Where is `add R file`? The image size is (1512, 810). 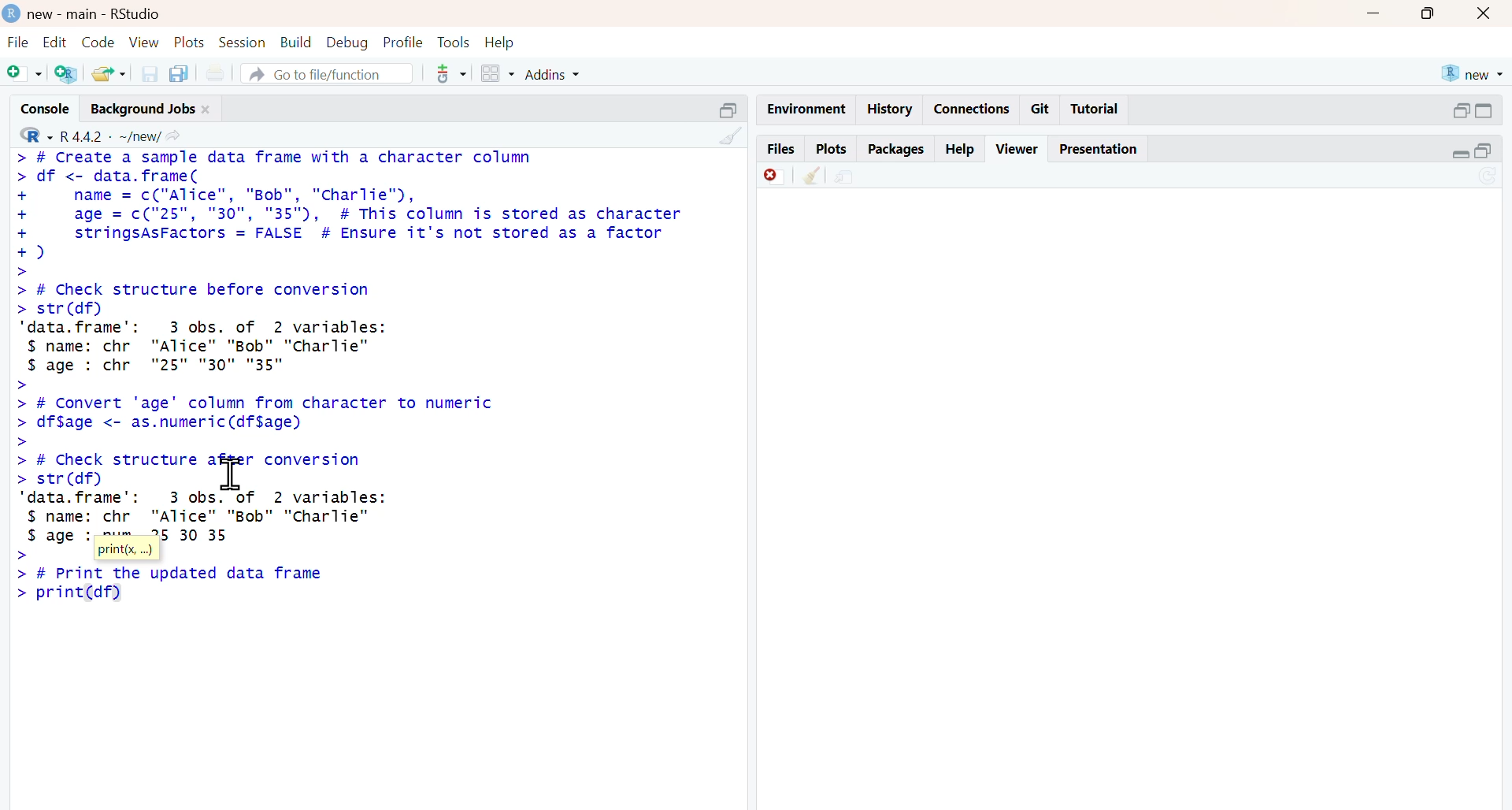 add R file is located at coordinates (66, 74).